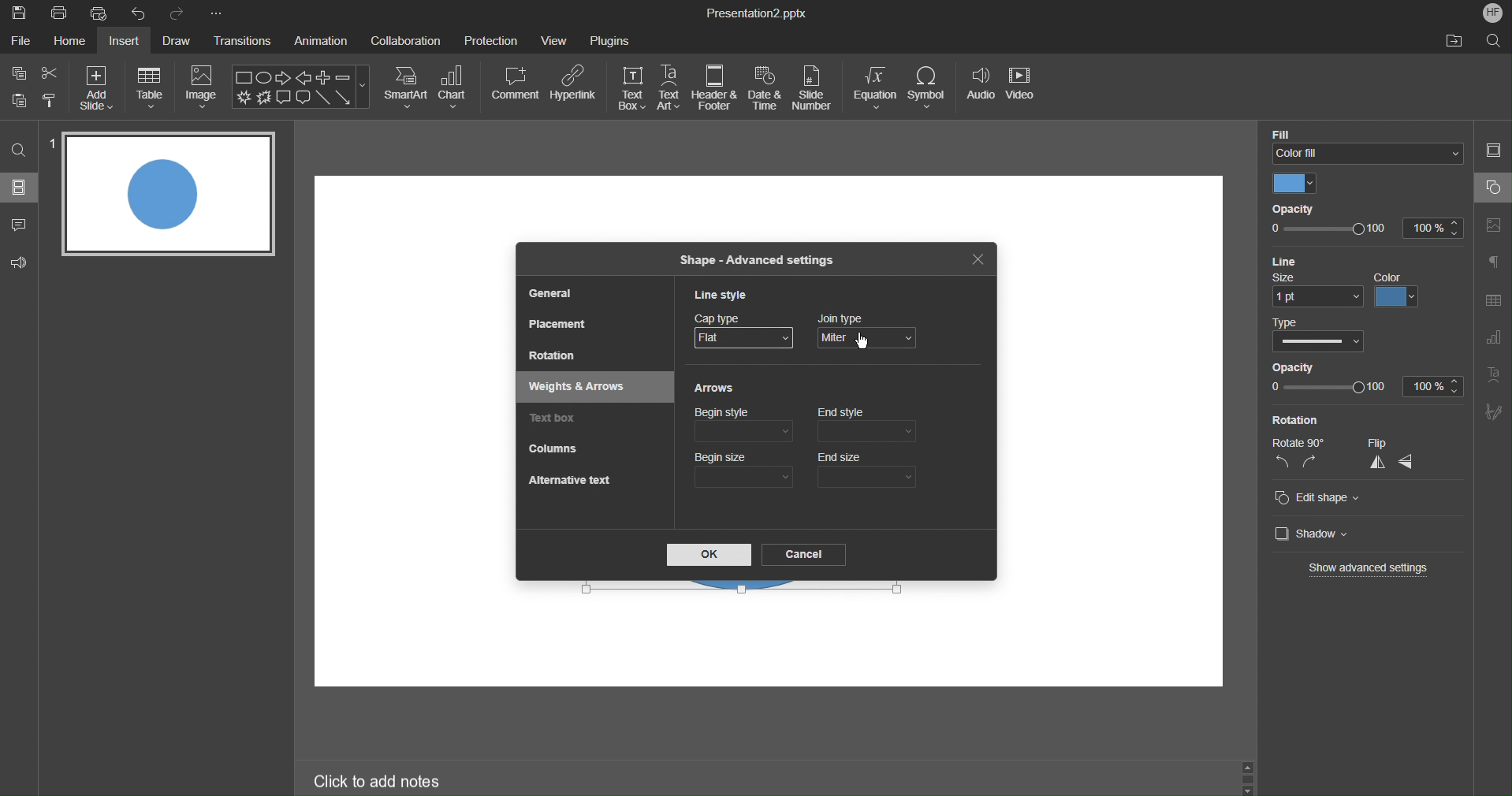 This screenshot has height=796, width=1512. What do you see at coordinates (610, 38) in the screenshot?
I see `Plugins` at bounding box center [610, 38].